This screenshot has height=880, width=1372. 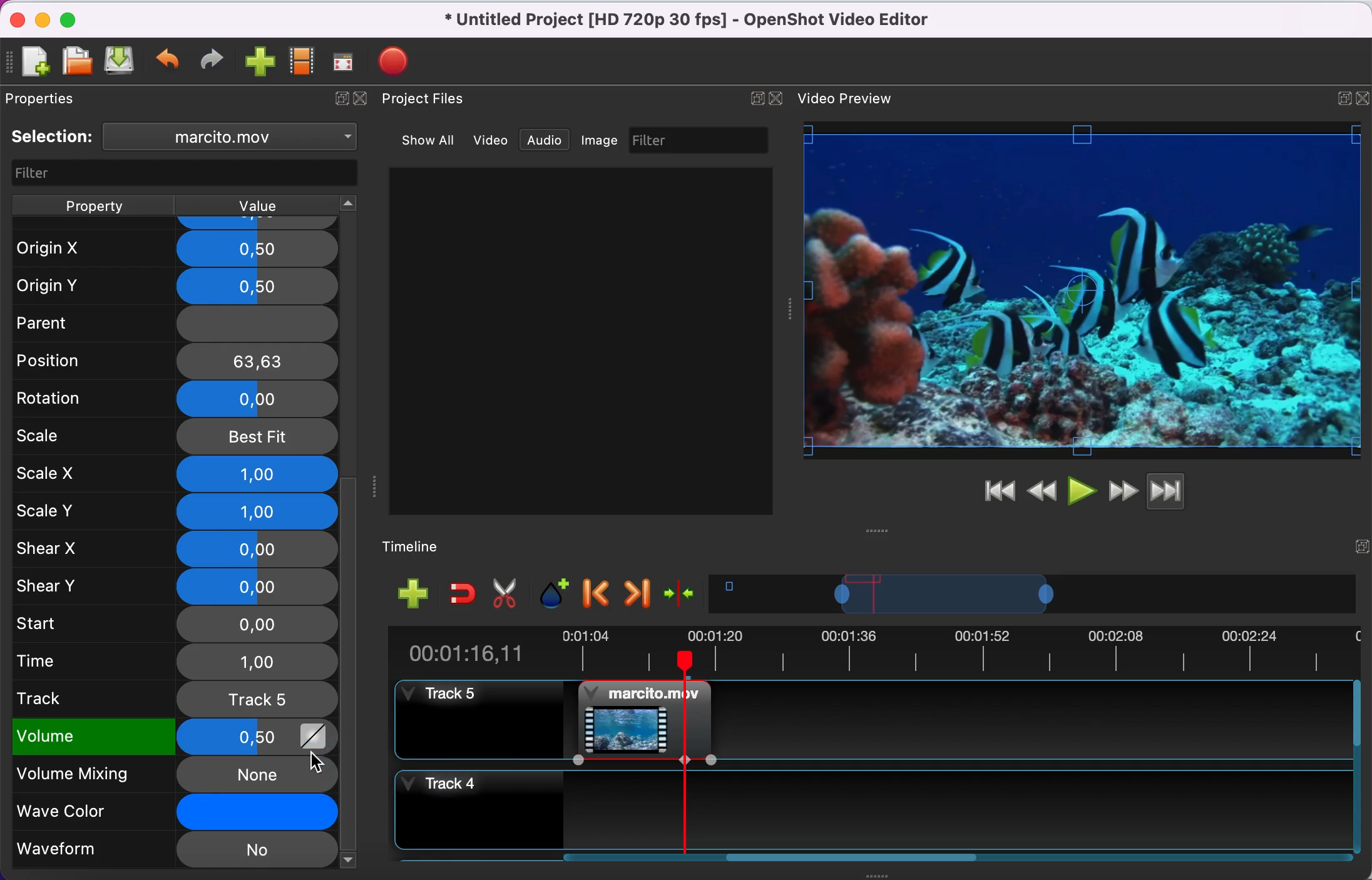 What do you see at coordinates (174, 698) in the screenshot?
I see `track 5` at bounding box center [174, 698].